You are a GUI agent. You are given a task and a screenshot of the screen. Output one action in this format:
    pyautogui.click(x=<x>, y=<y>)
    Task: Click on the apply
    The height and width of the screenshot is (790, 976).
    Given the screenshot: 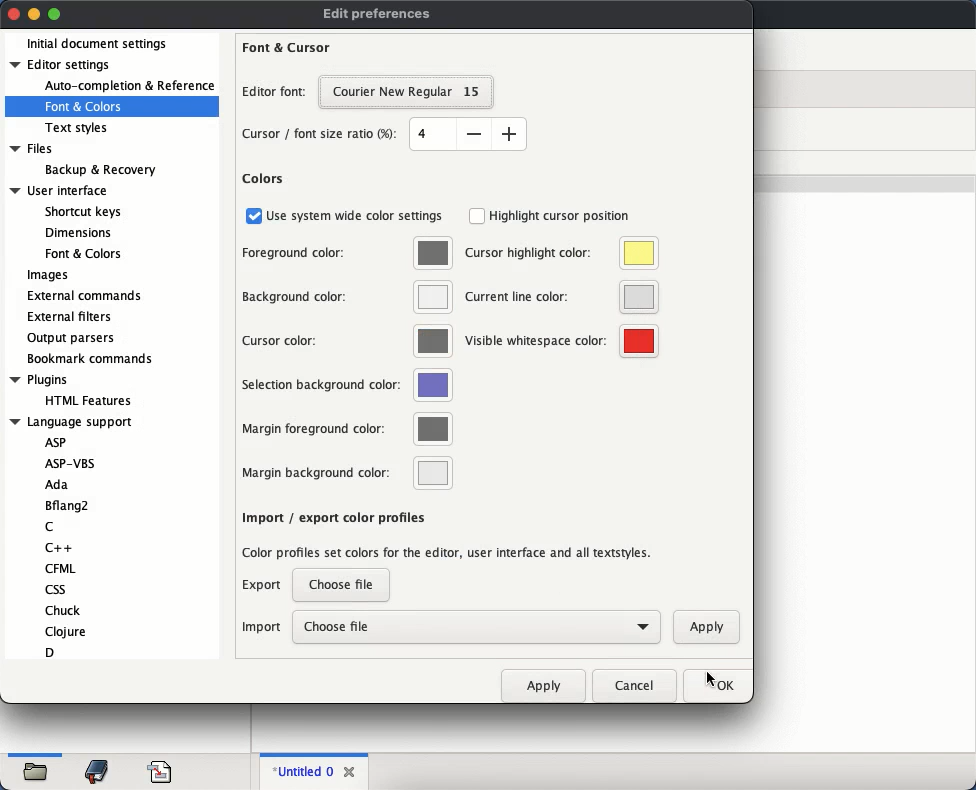 What is the action you would take?
    pyautogui.click(x=706, y=627)
    